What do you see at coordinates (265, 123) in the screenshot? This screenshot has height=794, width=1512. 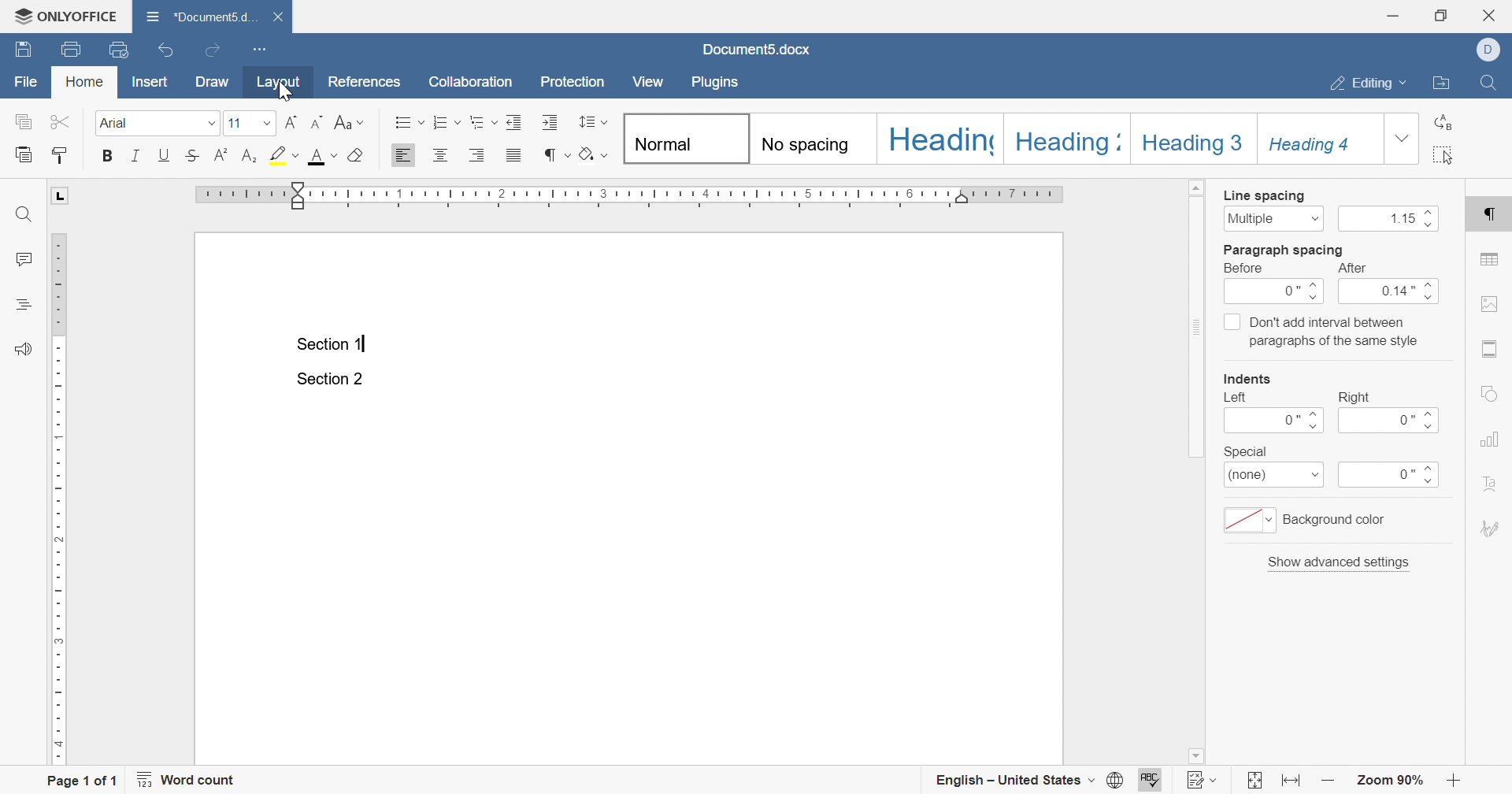 I see `drop down` at bounding box center [265, 123].